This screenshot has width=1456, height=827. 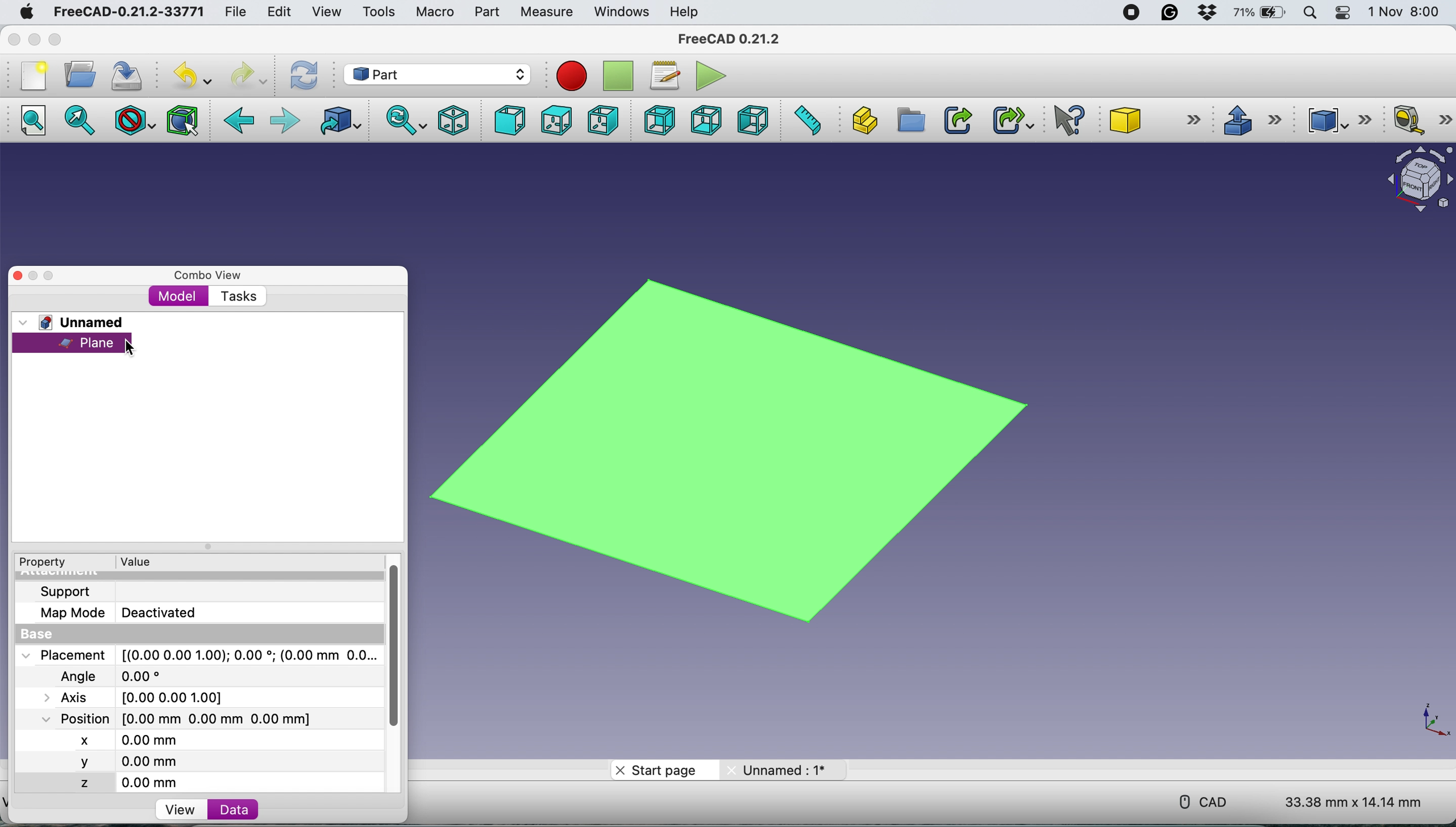 I want to click on compound tools, so click(x=1342, y=117).